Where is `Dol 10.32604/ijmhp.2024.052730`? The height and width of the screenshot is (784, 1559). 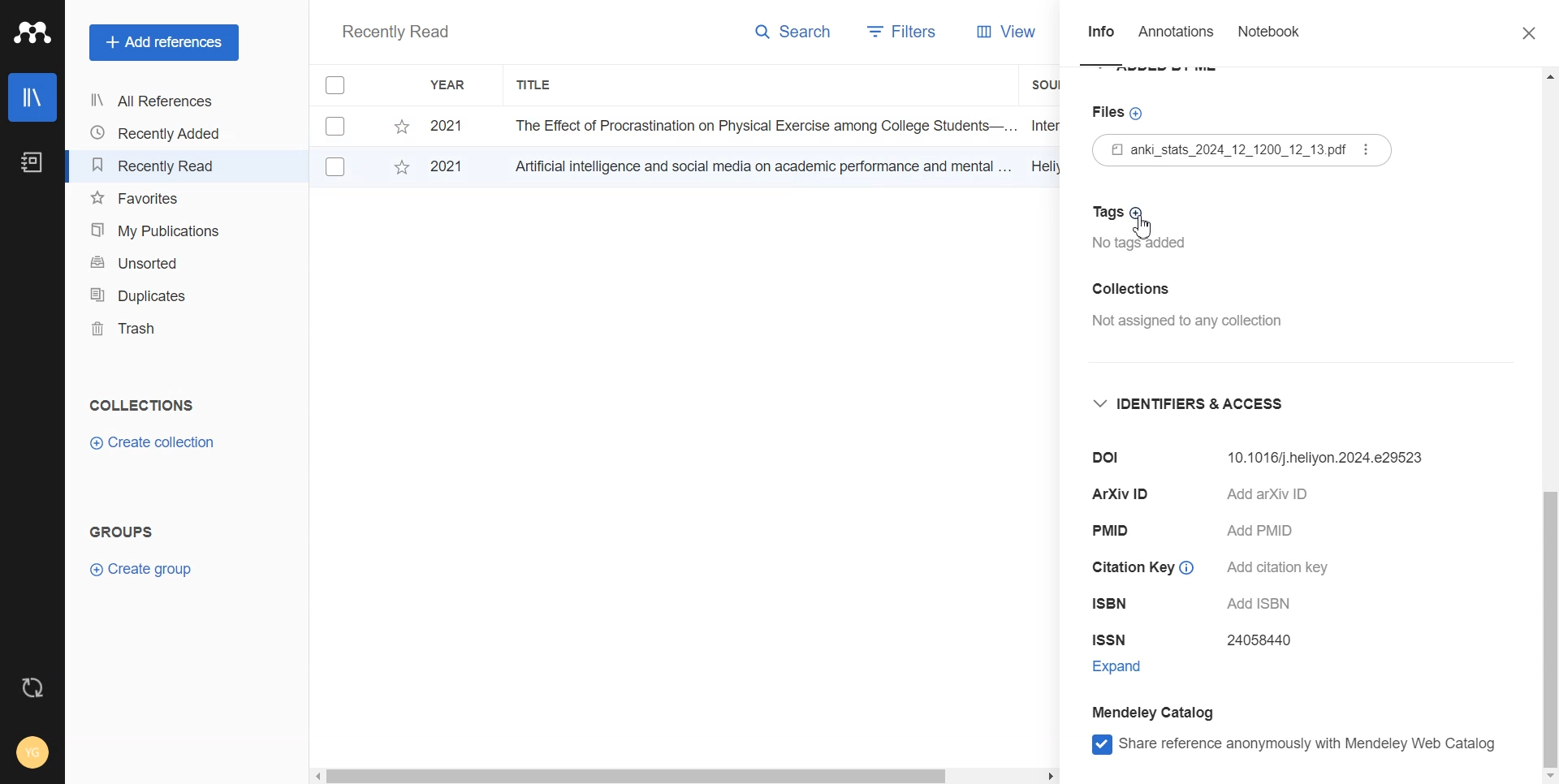 Dol 10.32604/ijmhp.2024.052730 is located at coordinates (1256, 461).